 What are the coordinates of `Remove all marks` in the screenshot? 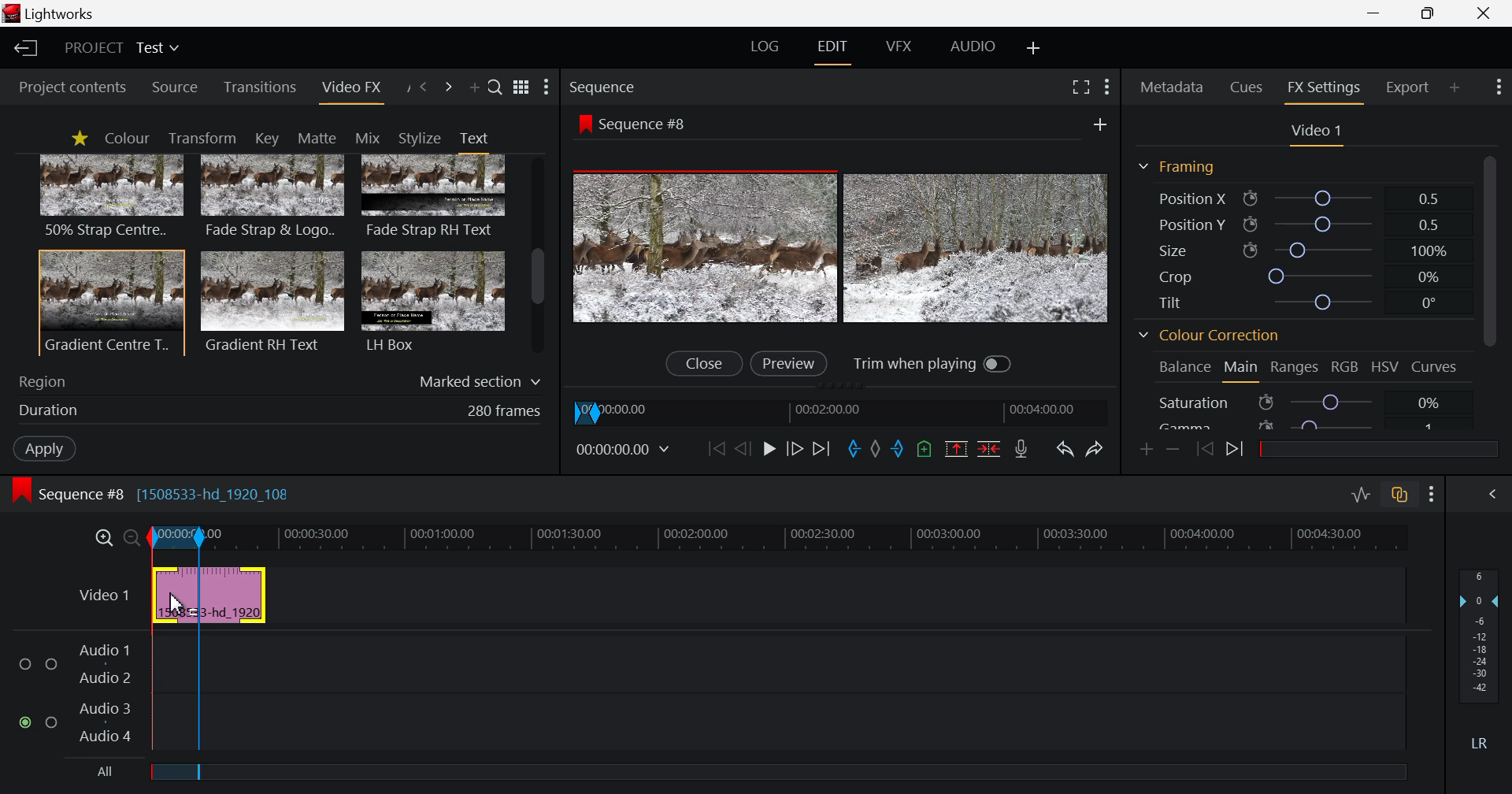 It's located at (874, 450).